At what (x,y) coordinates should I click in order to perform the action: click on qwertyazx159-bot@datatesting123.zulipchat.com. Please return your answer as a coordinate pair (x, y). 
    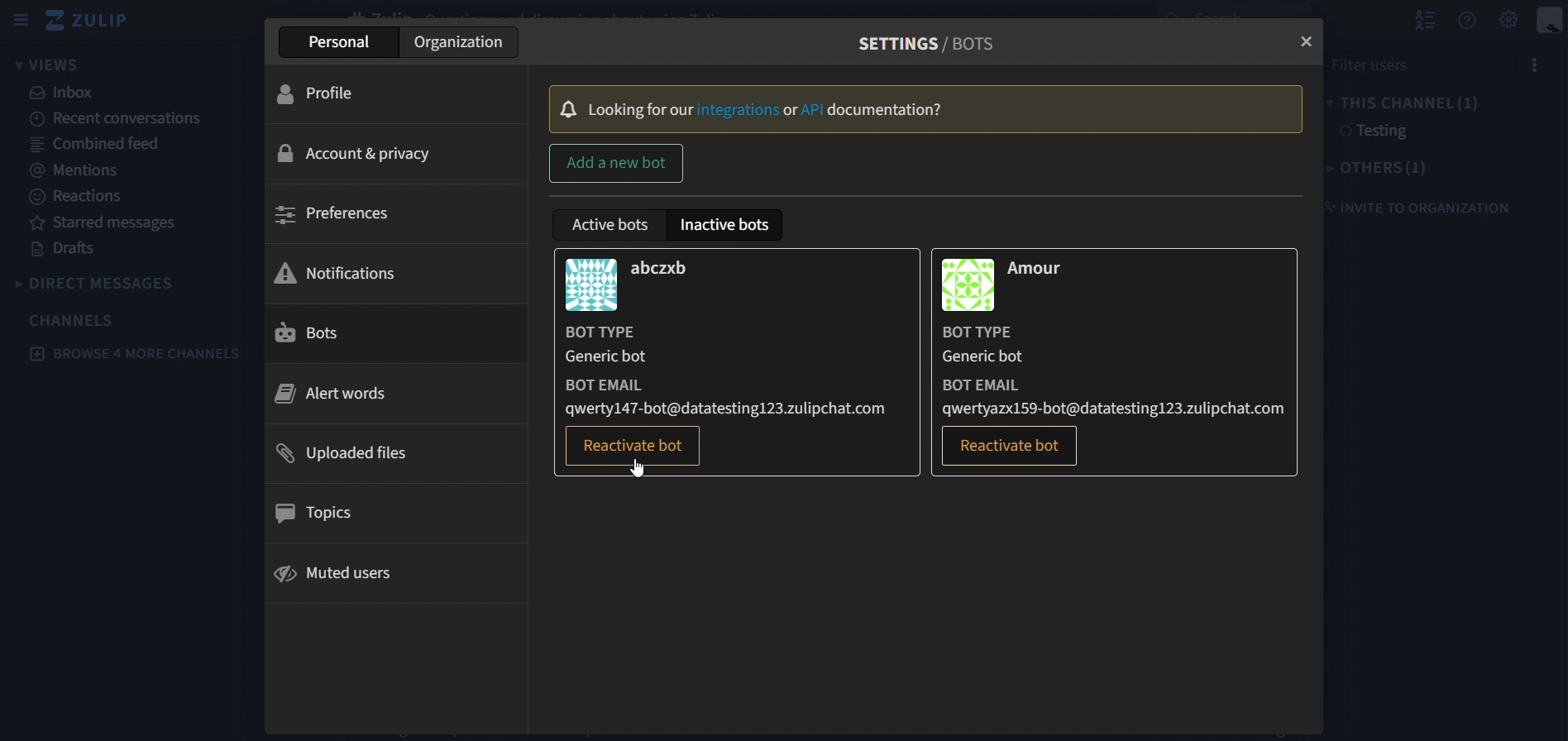
    Looking at the image, I should click on (1116, 410).